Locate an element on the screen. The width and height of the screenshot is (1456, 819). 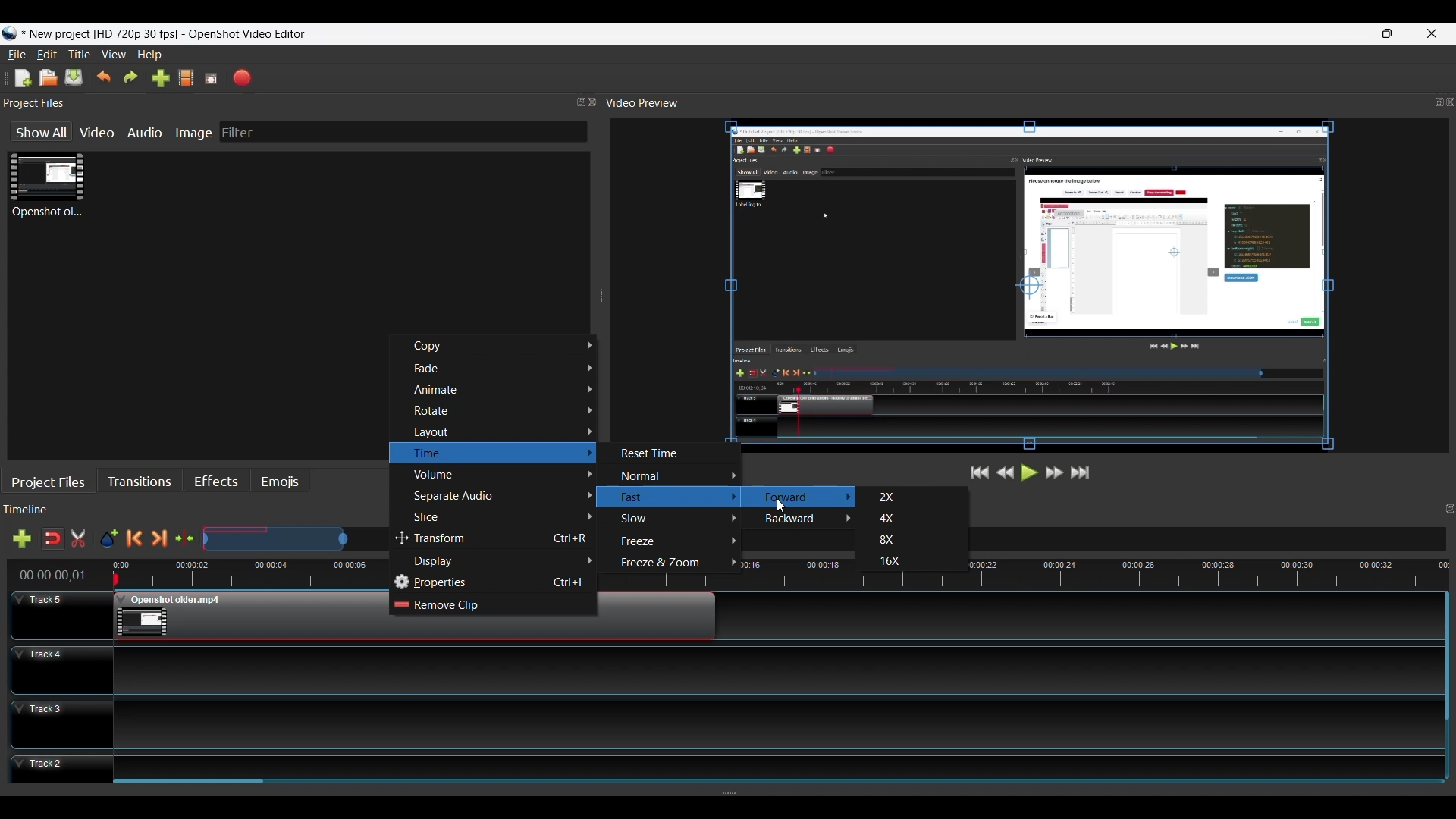
Rewind is located at coordinates (1006, 472).